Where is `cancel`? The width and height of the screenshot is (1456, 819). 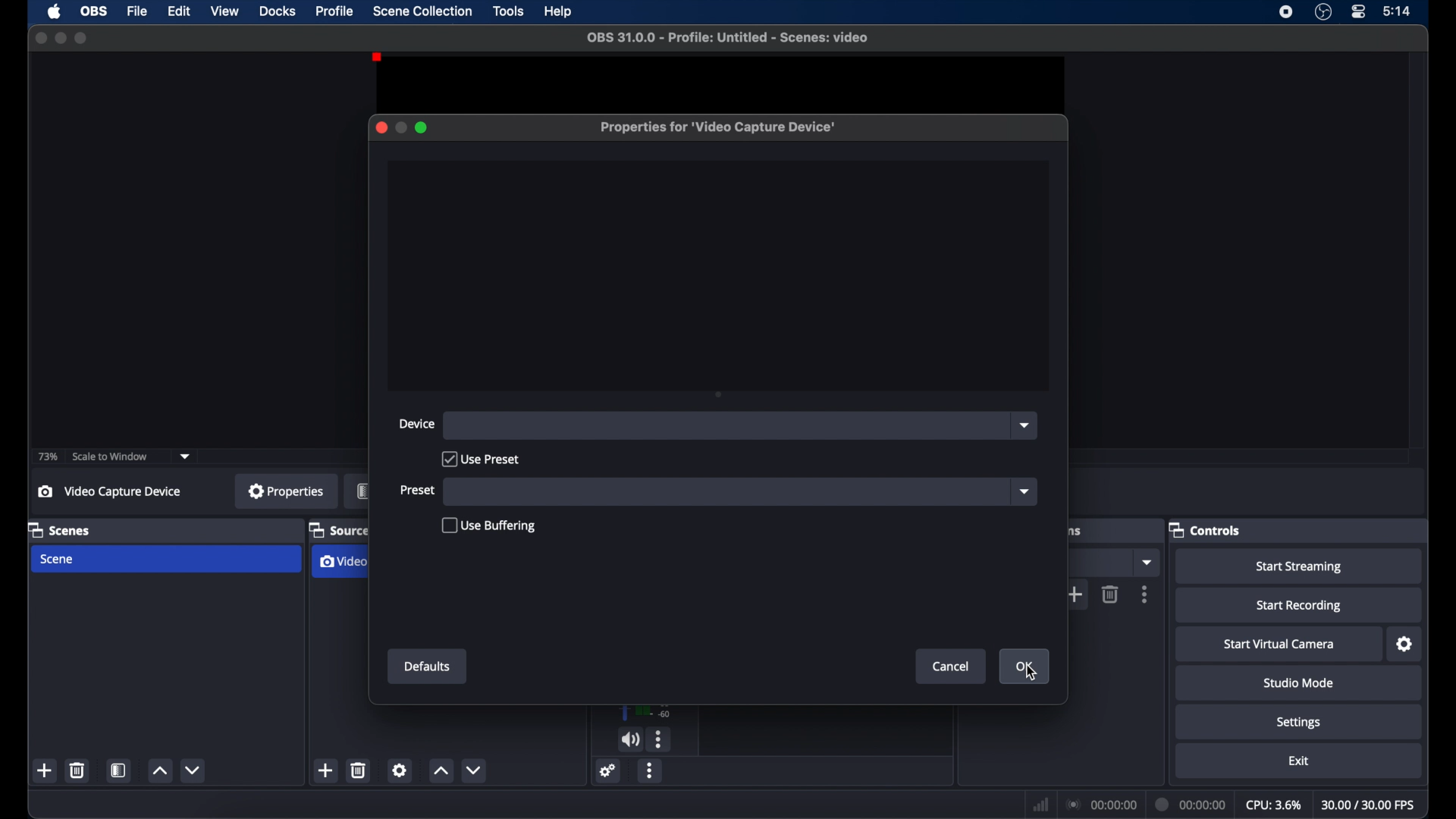
cancel is located at coordinates (952, 667).